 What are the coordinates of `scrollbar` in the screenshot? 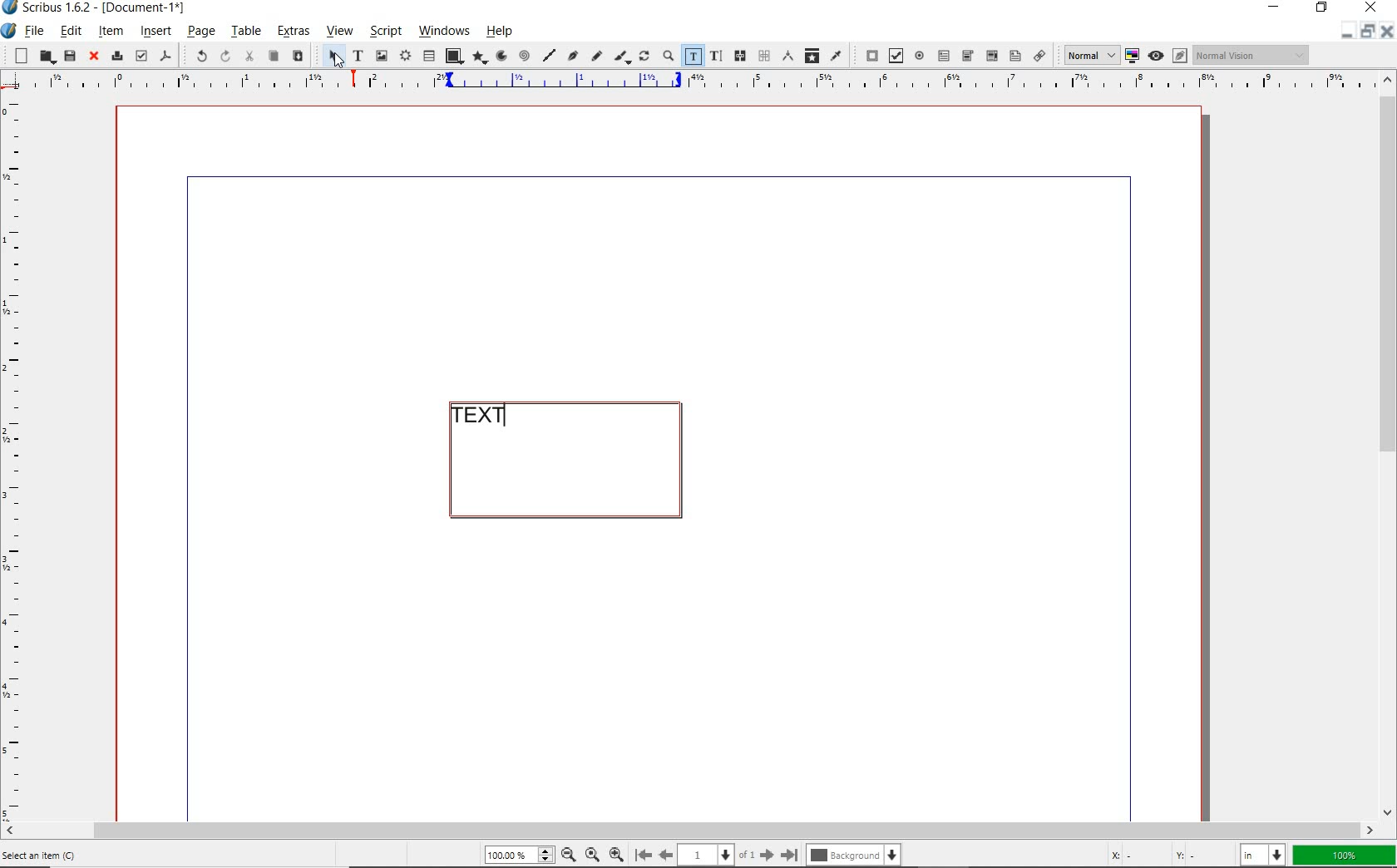 It's located at (690, 830).